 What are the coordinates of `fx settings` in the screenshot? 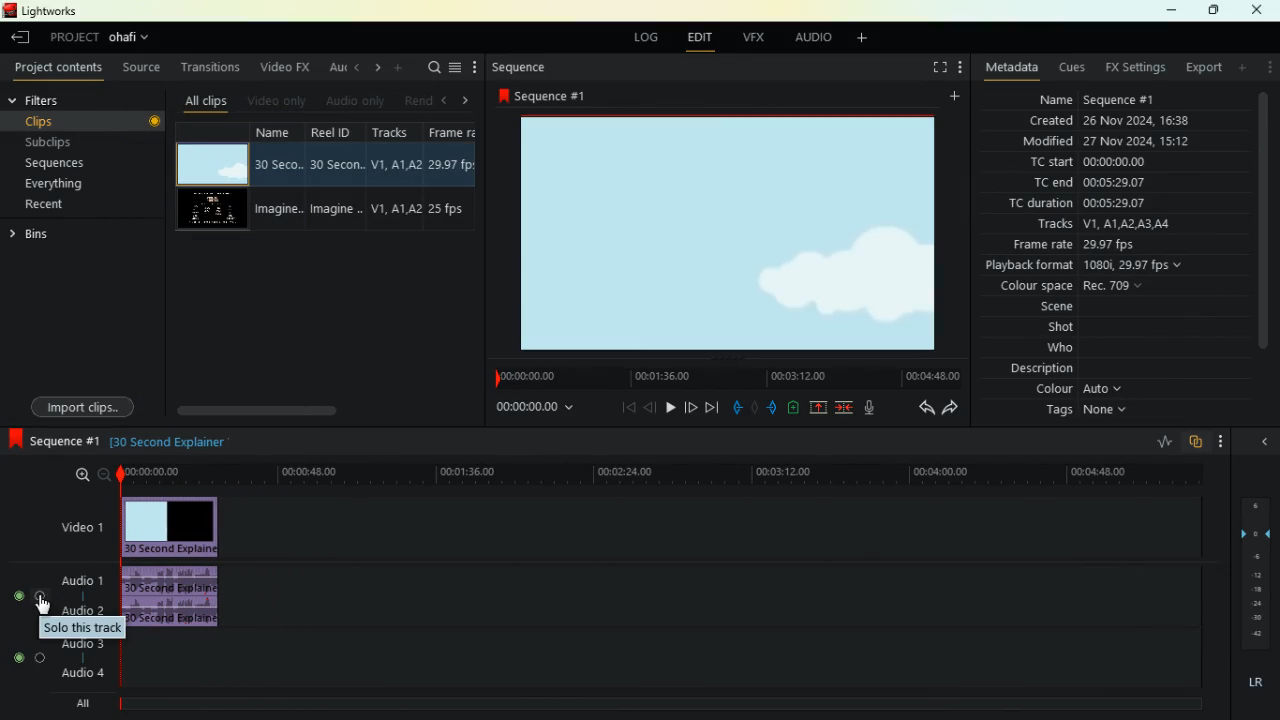 It's located at (1130, 68).